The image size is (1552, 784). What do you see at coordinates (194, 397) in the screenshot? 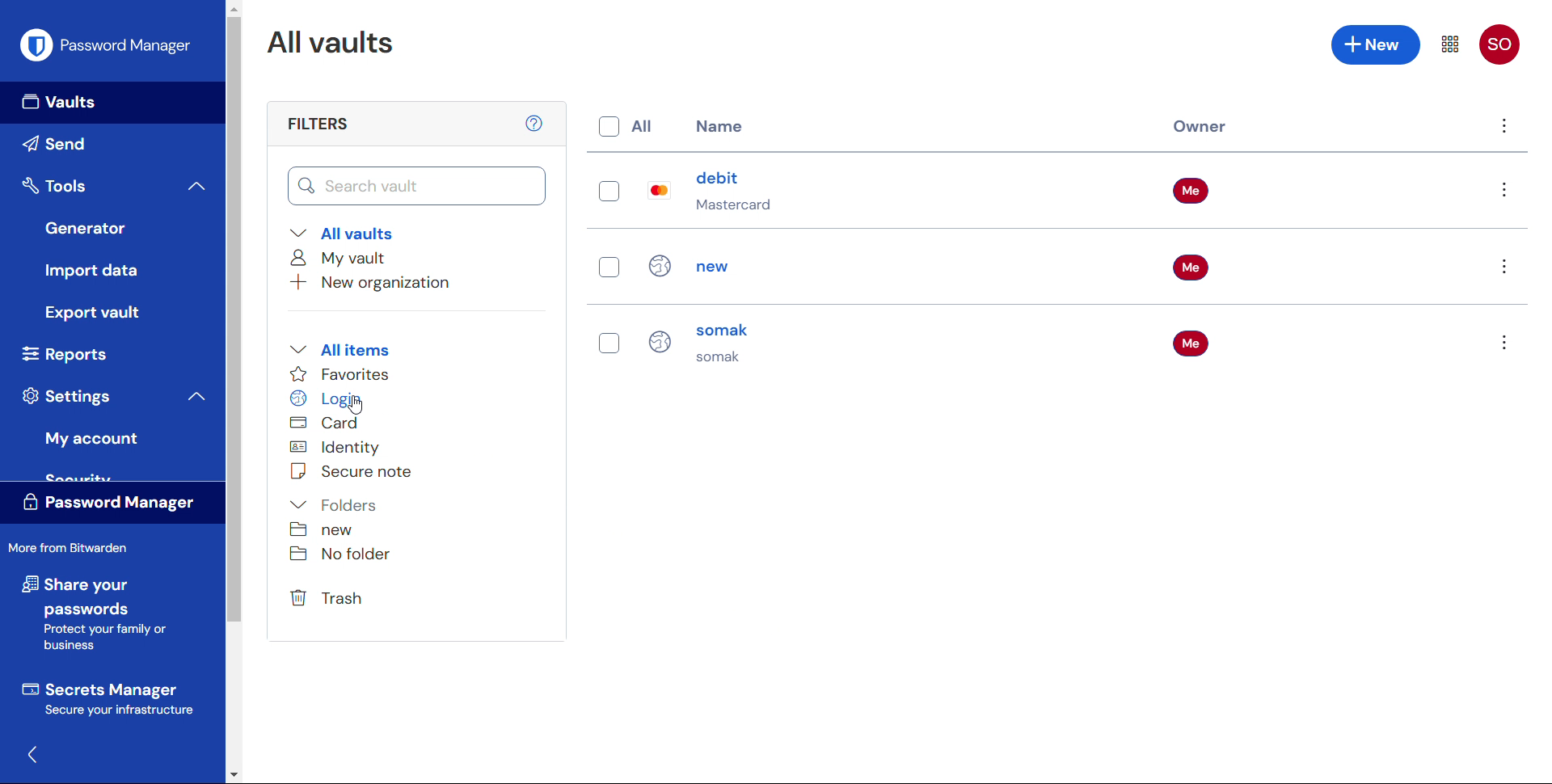
I see `Collapse settings menu ` at bounding box center [194, 397].